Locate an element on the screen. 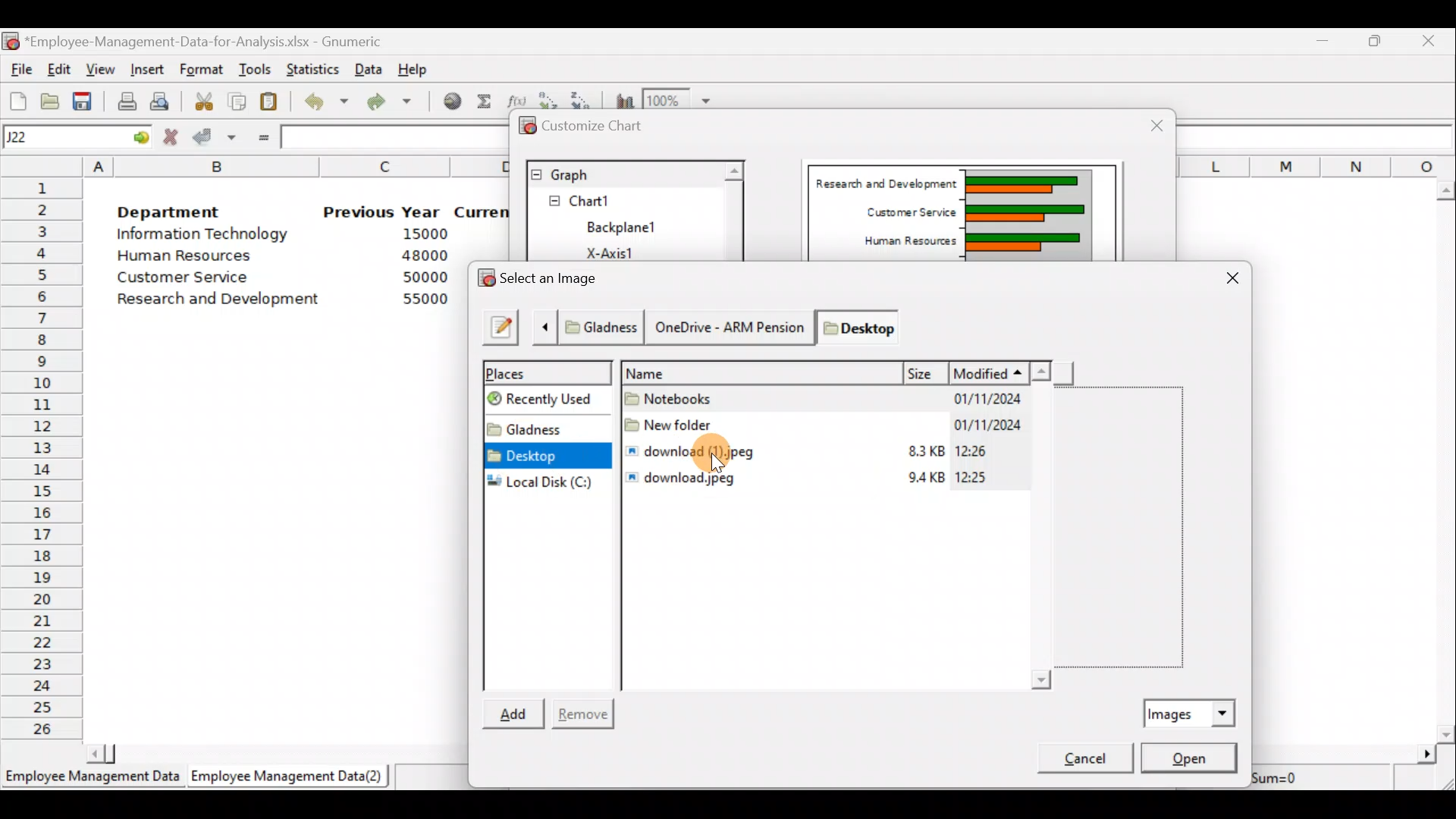 The height and width of the screenshot is (819, 1456). 50000 is located at coordinates (422, 277).